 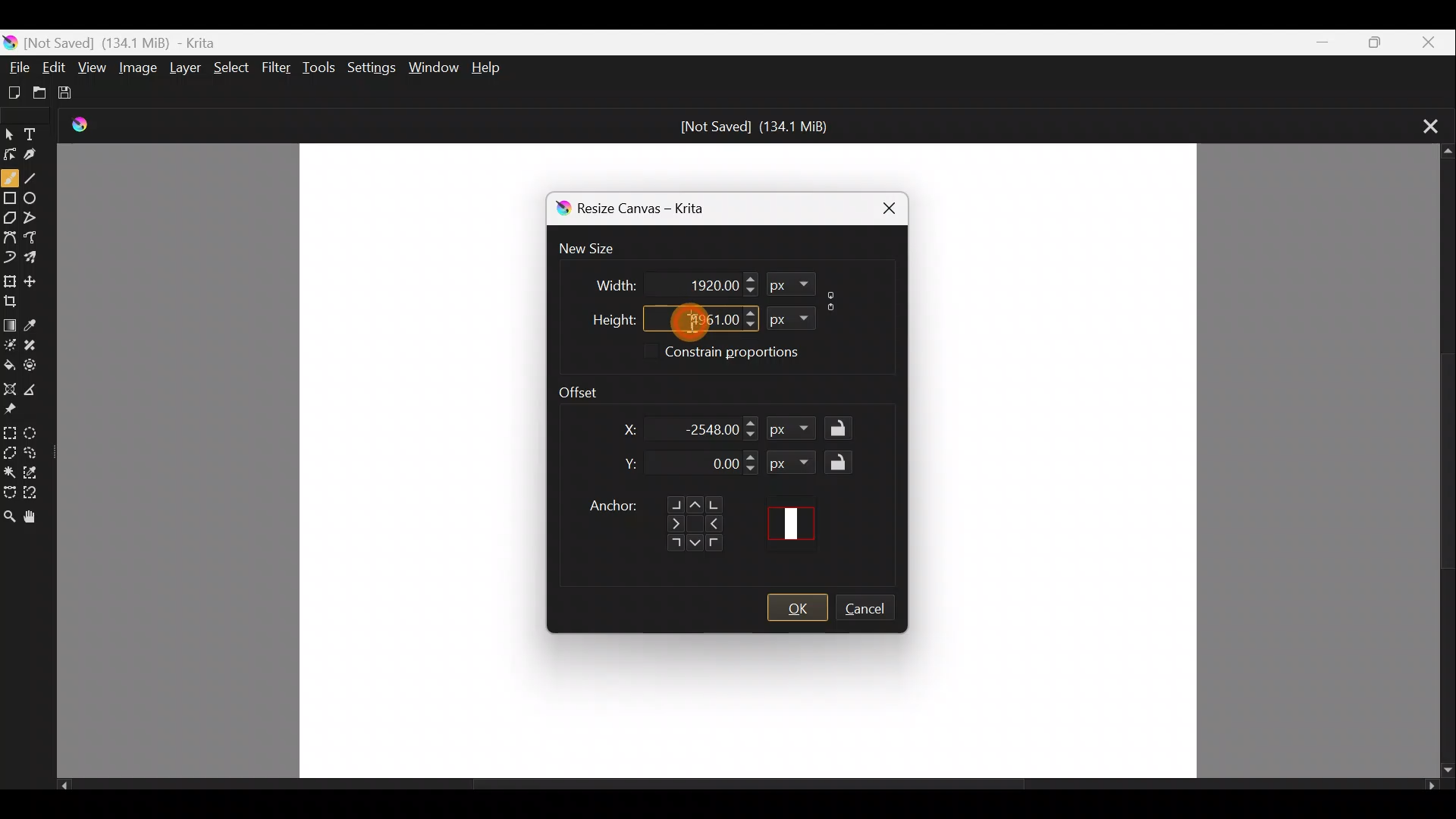 I want to click on 0.00, so click(x=711, y=465).